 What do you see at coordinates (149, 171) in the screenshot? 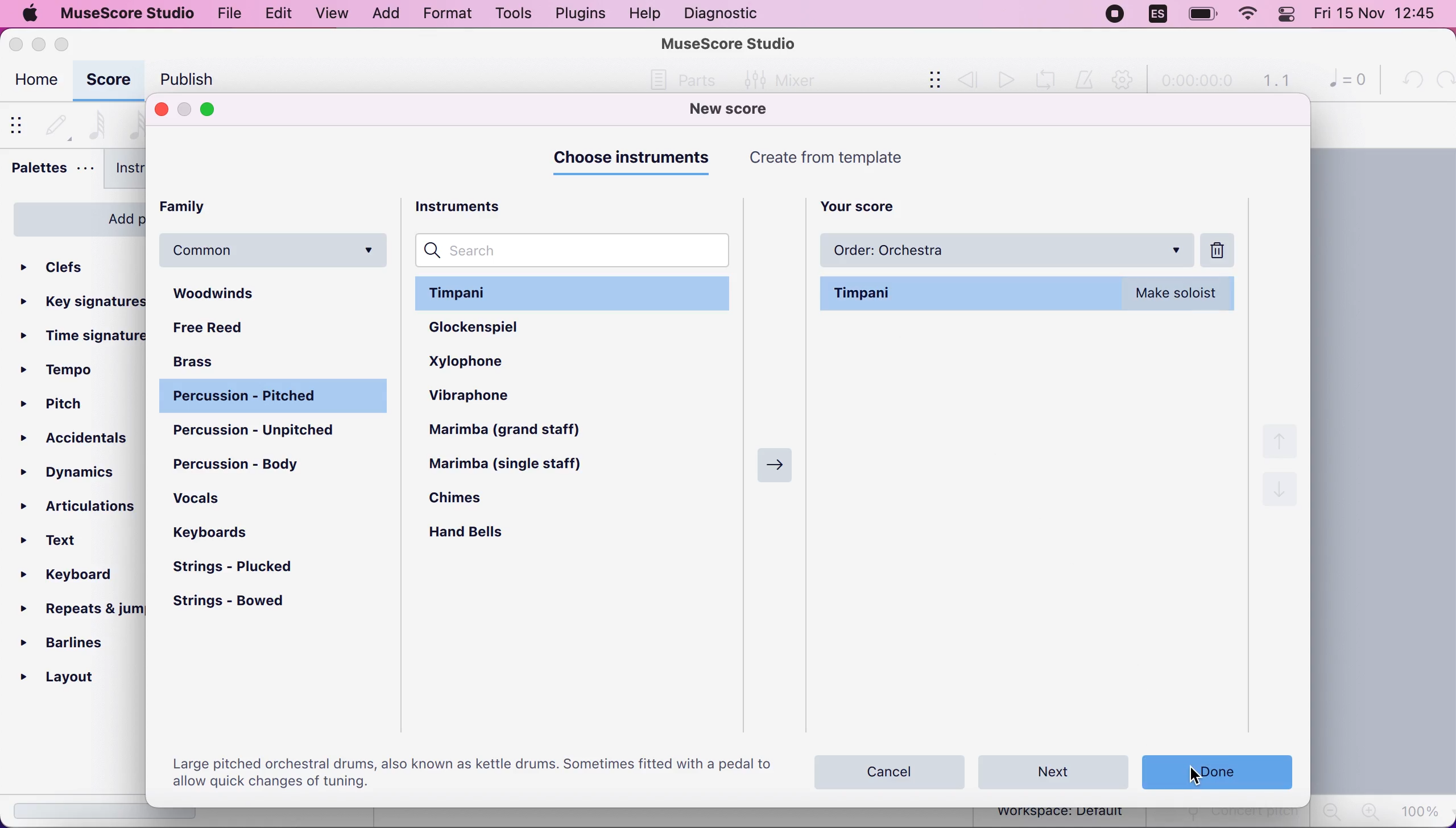
I see `instruments` at bounding box center [149, 171].